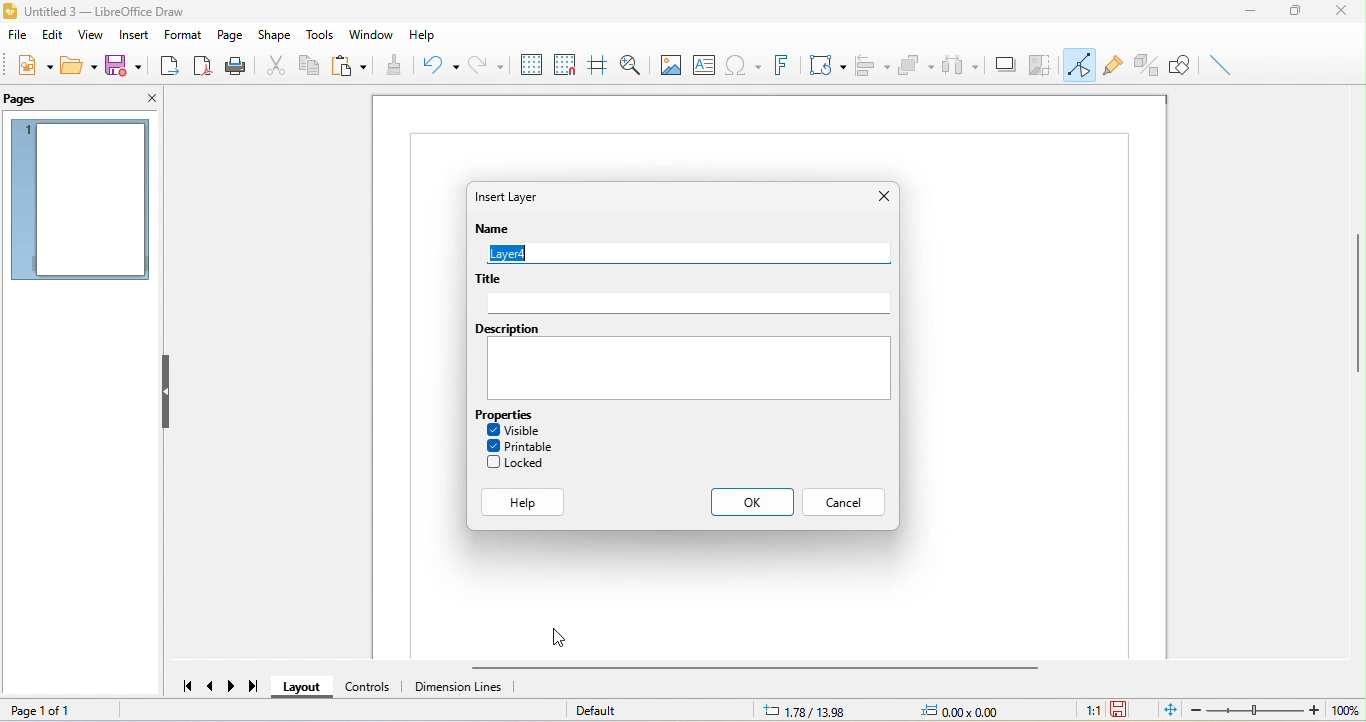  I want to click on the document has not been modified since the last save, so click(1127, 710).